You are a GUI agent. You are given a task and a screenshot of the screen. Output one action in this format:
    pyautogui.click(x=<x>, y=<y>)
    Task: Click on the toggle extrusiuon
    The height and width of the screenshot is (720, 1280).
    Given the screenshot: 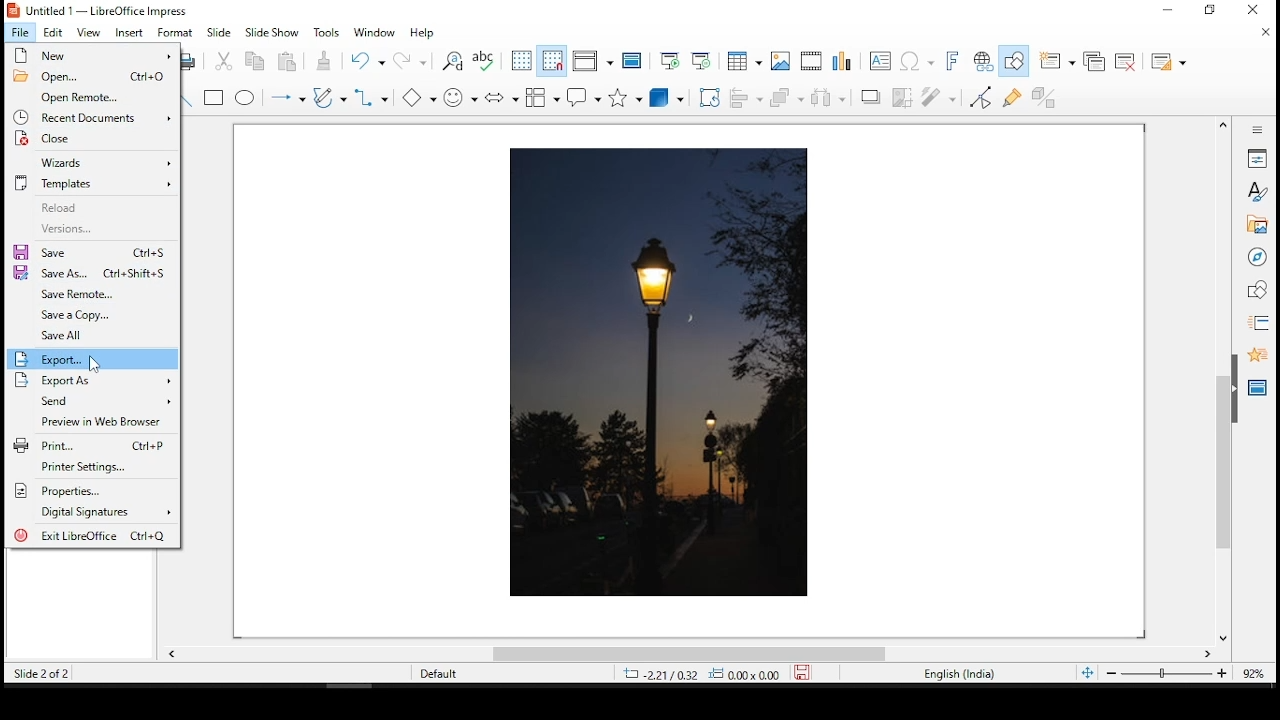 What is the action you would take?
    pyautogui.click(x=1050, y=96)
    